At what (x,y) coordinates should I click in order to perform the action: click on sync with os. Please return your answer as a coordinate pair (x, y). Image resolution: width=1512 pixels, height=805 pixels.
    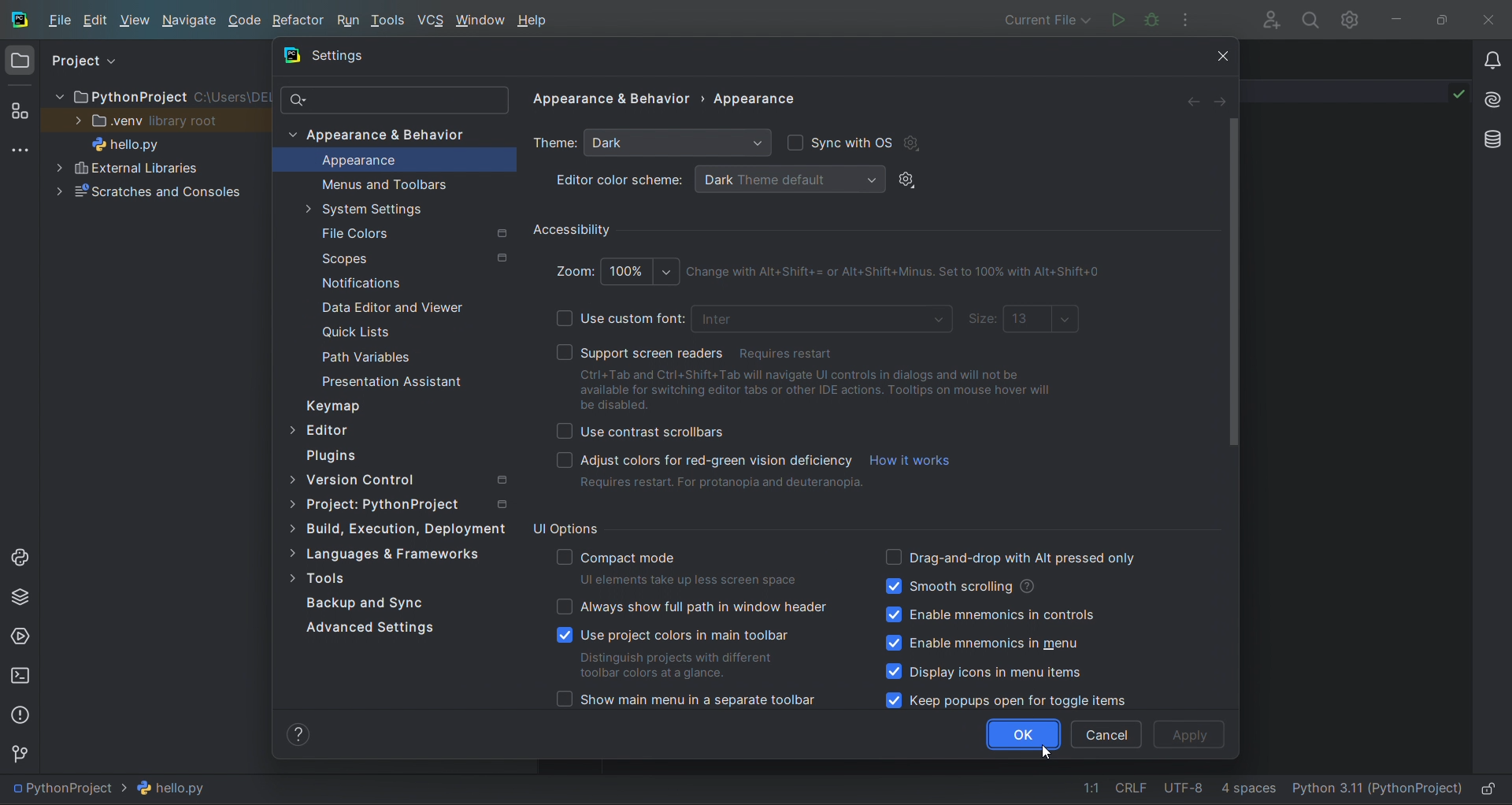
    Looking at the image, I should click on (851, 142).